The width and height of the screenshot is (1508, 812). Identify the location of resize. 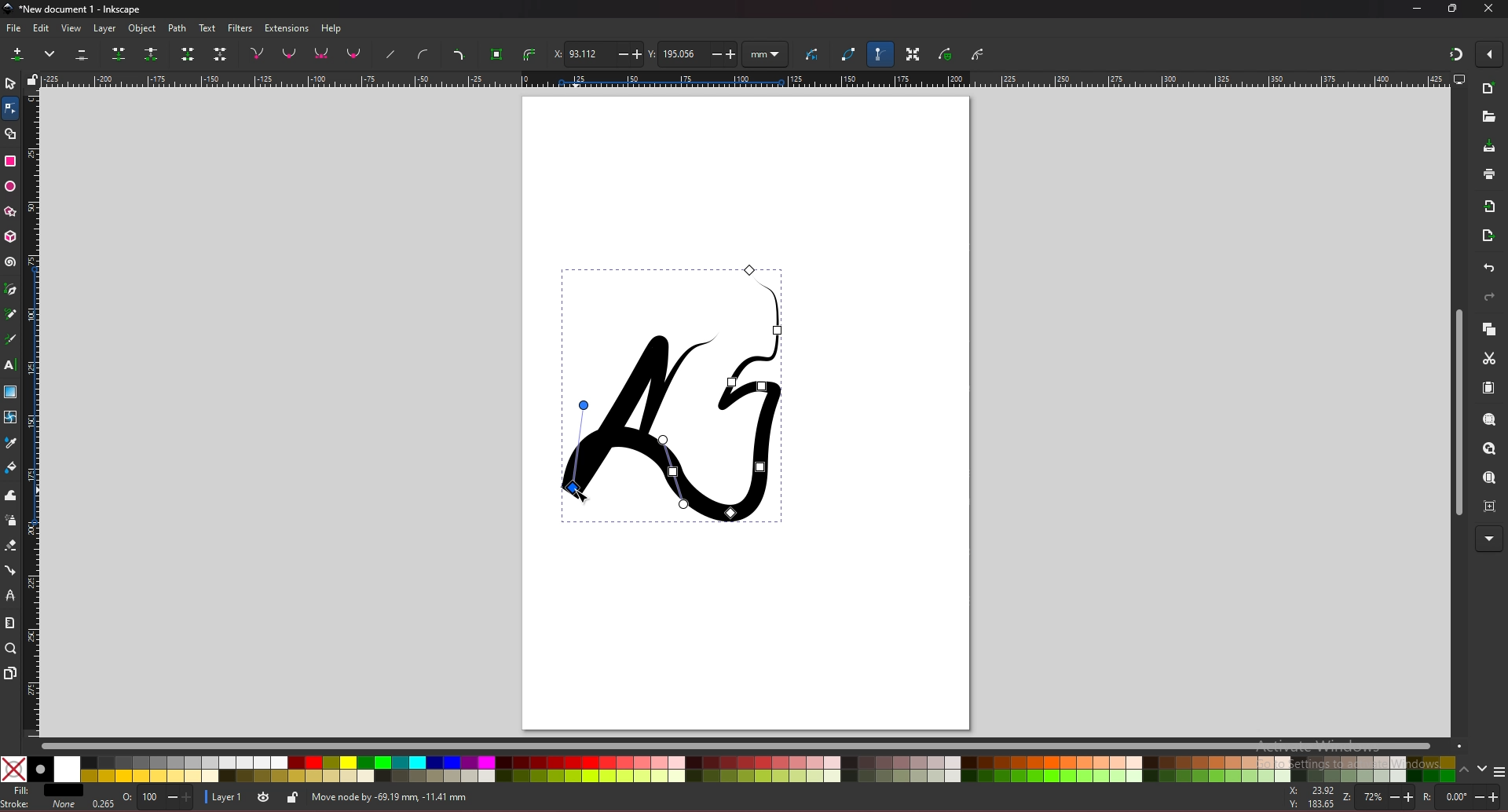
(1453, 9).